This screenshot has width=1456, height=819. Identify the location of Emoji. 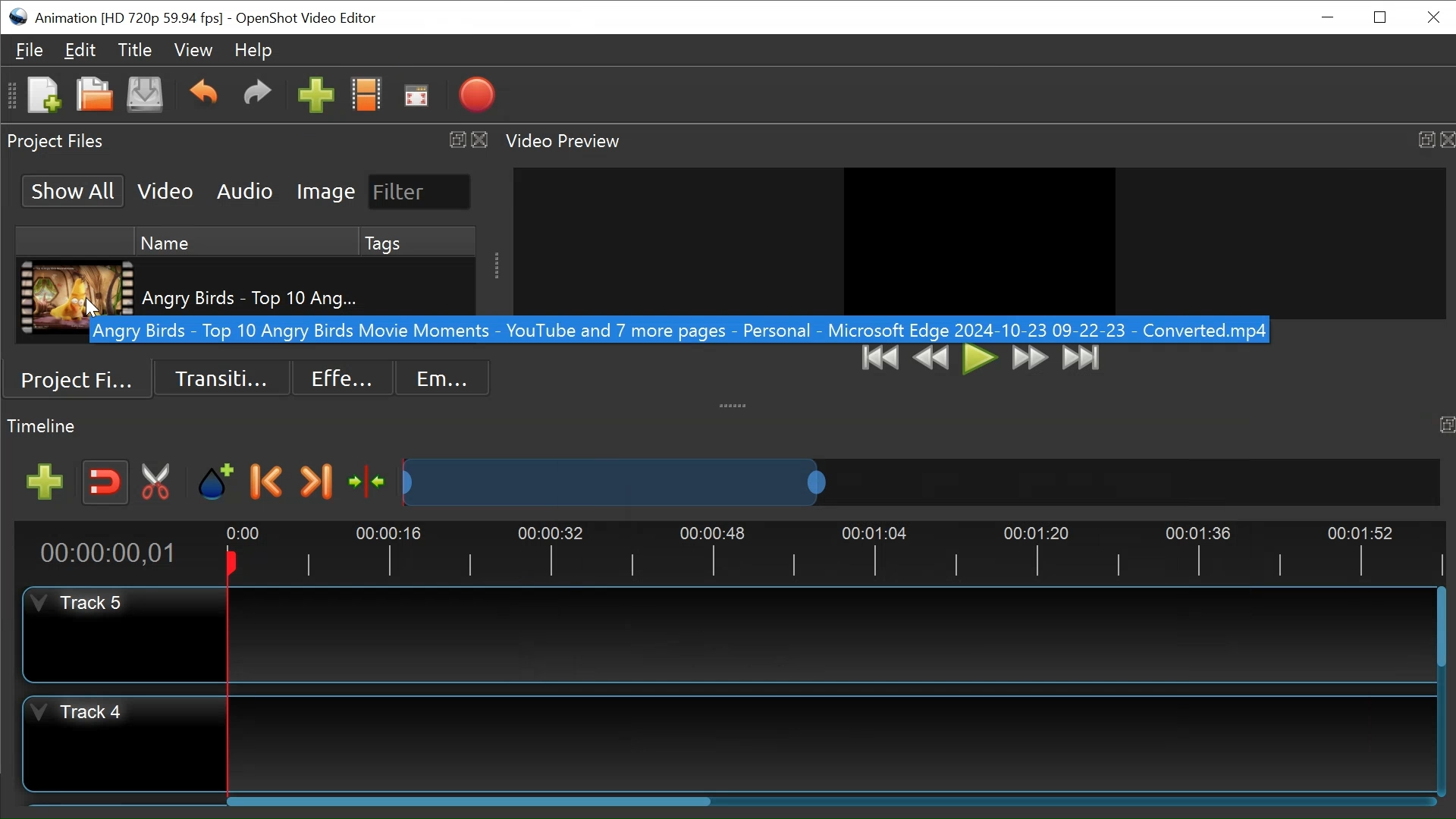
(443, 378).